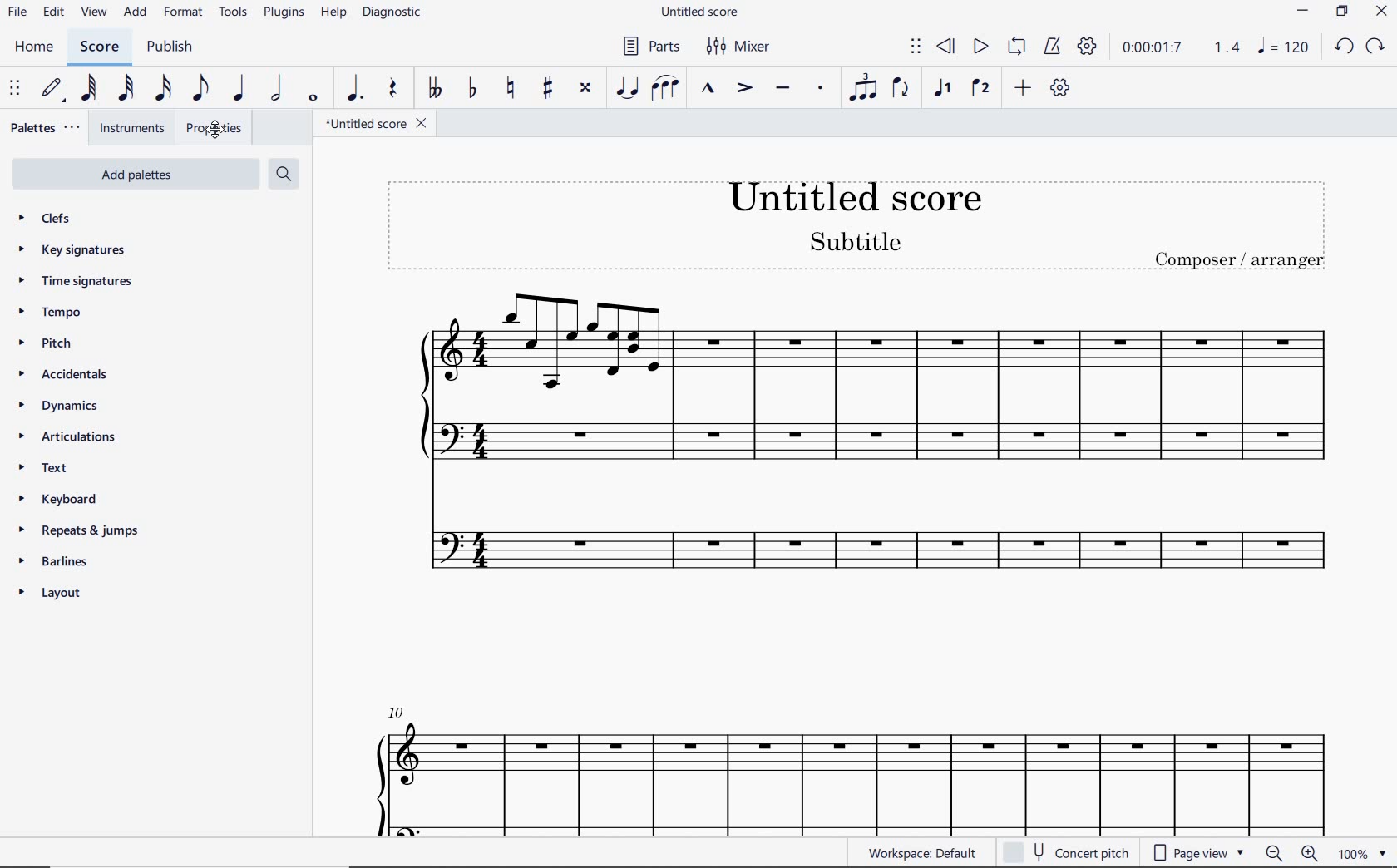 The image size is (1397, 868). I want to click on TUPLET, so click(865, 88).